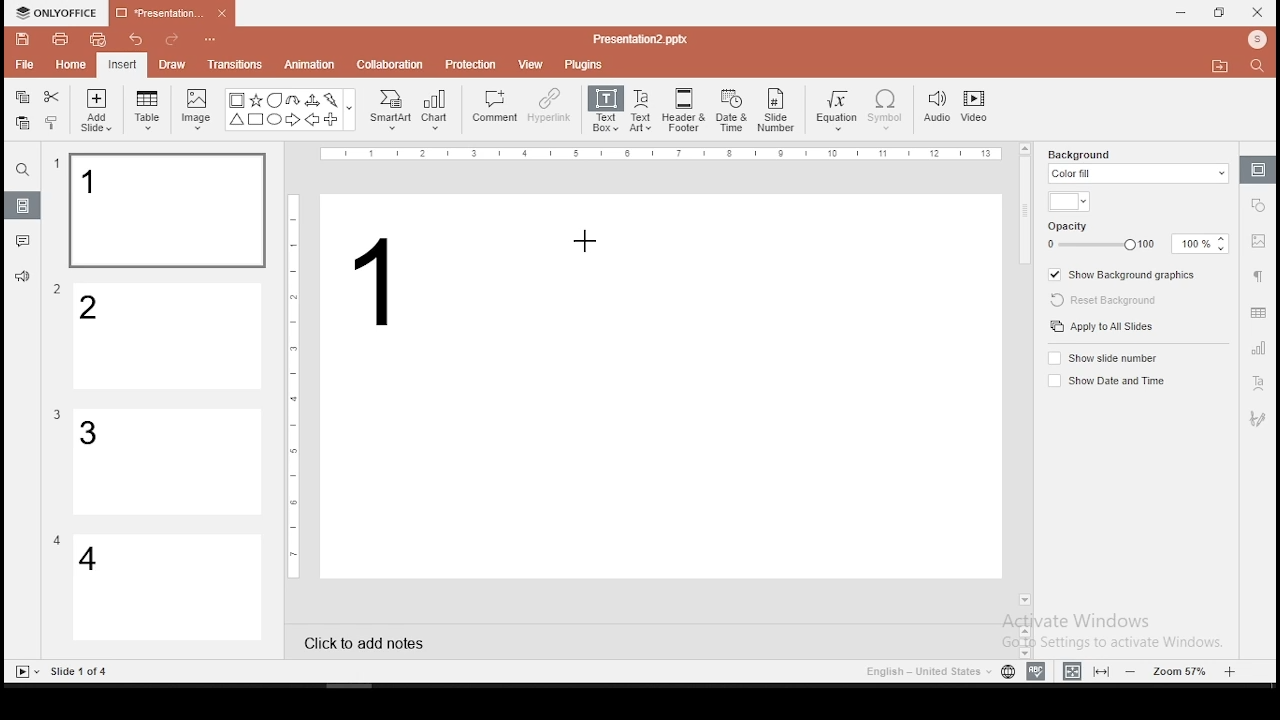  I want to click on smart, so click(388, 110).